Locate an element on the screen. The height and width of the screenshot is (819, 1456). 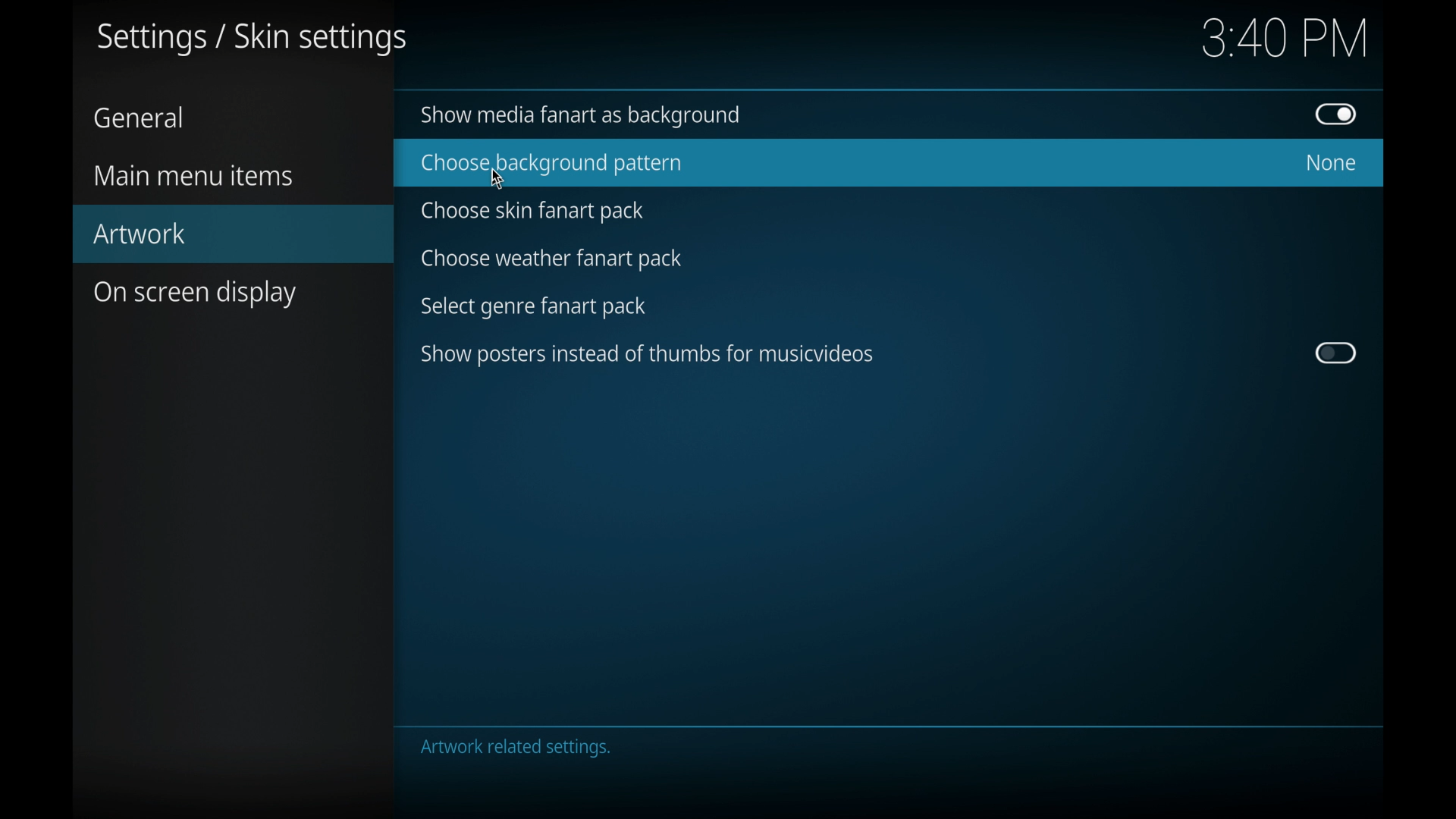
artwork related settings is located at coordinates (515, 748).